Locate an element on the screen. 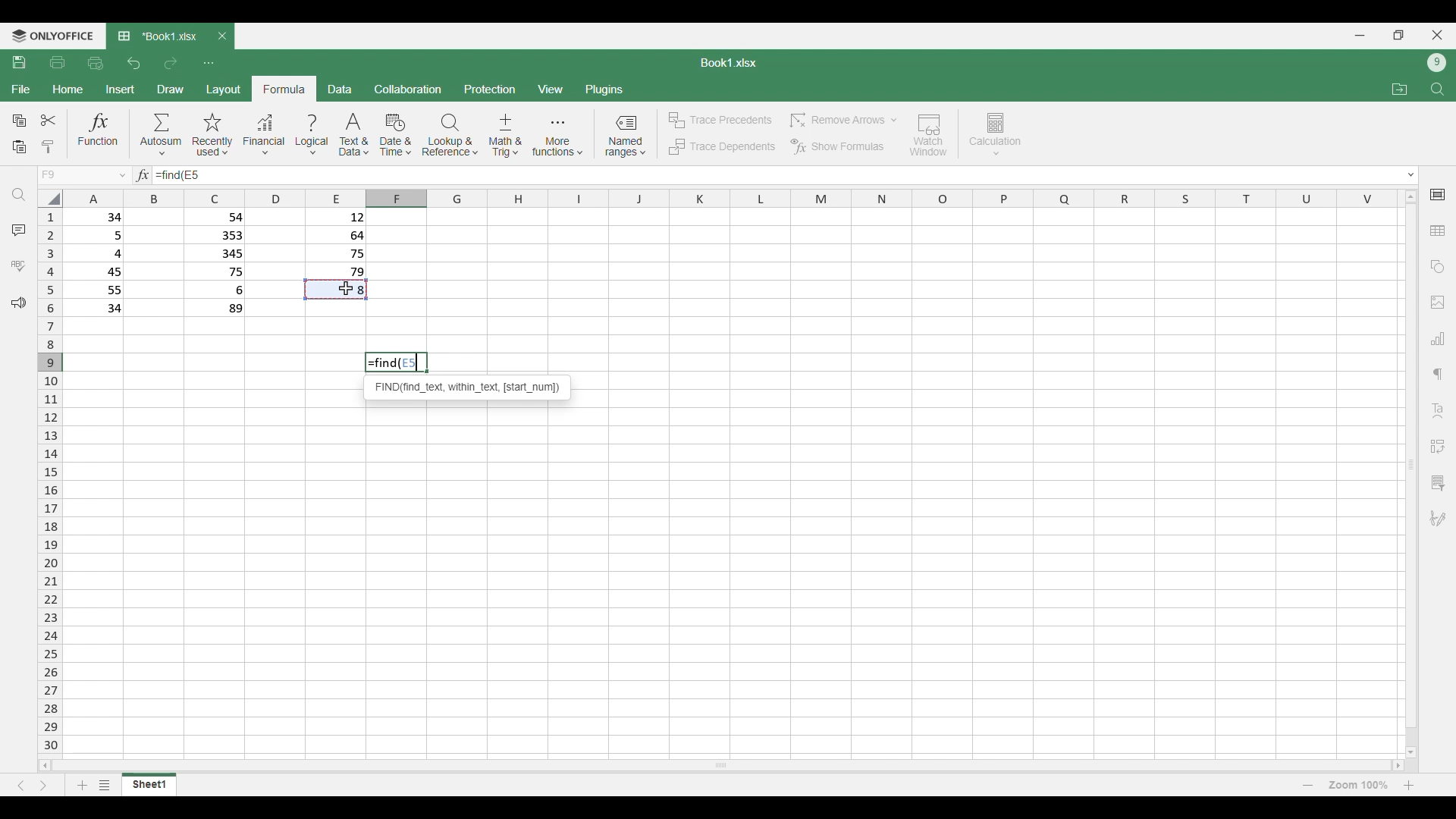 This screenshot has width=1456, height=819. Add digital signature or signature line is located at coordinates (1438, 519).